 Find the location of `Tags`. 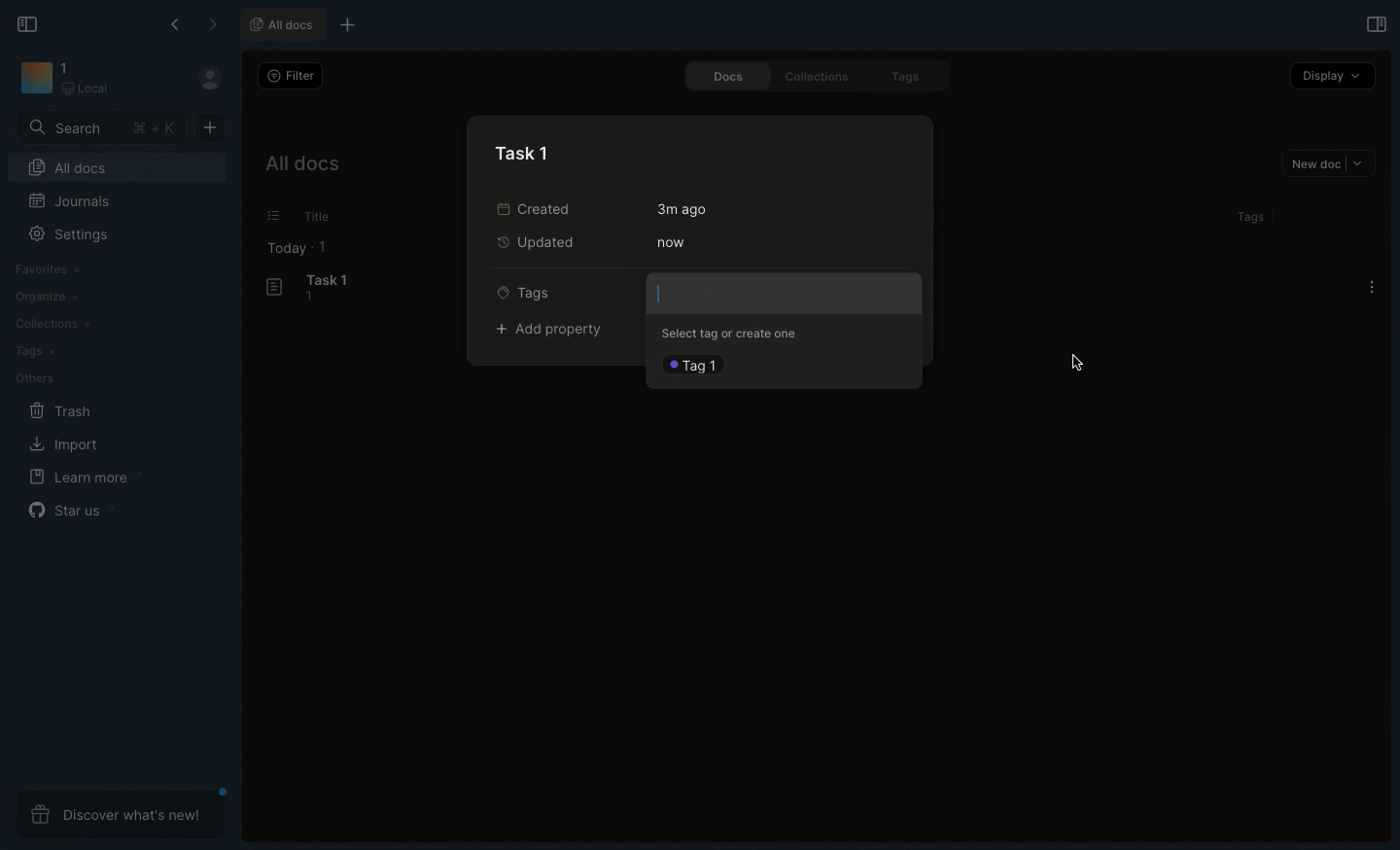

Tags is located at coordinates (530, 292).